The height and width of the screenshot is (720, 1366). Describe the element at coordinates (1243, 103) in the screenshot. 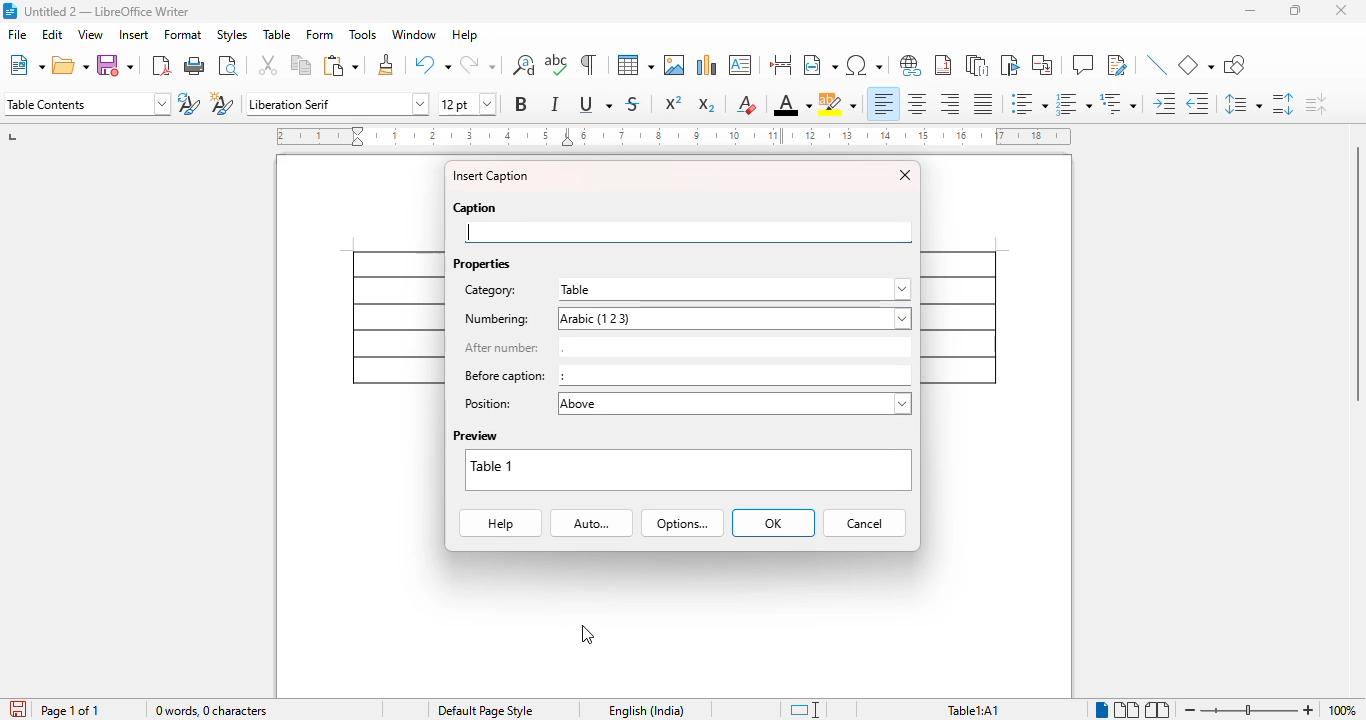

I see `set line spacing` at that location.